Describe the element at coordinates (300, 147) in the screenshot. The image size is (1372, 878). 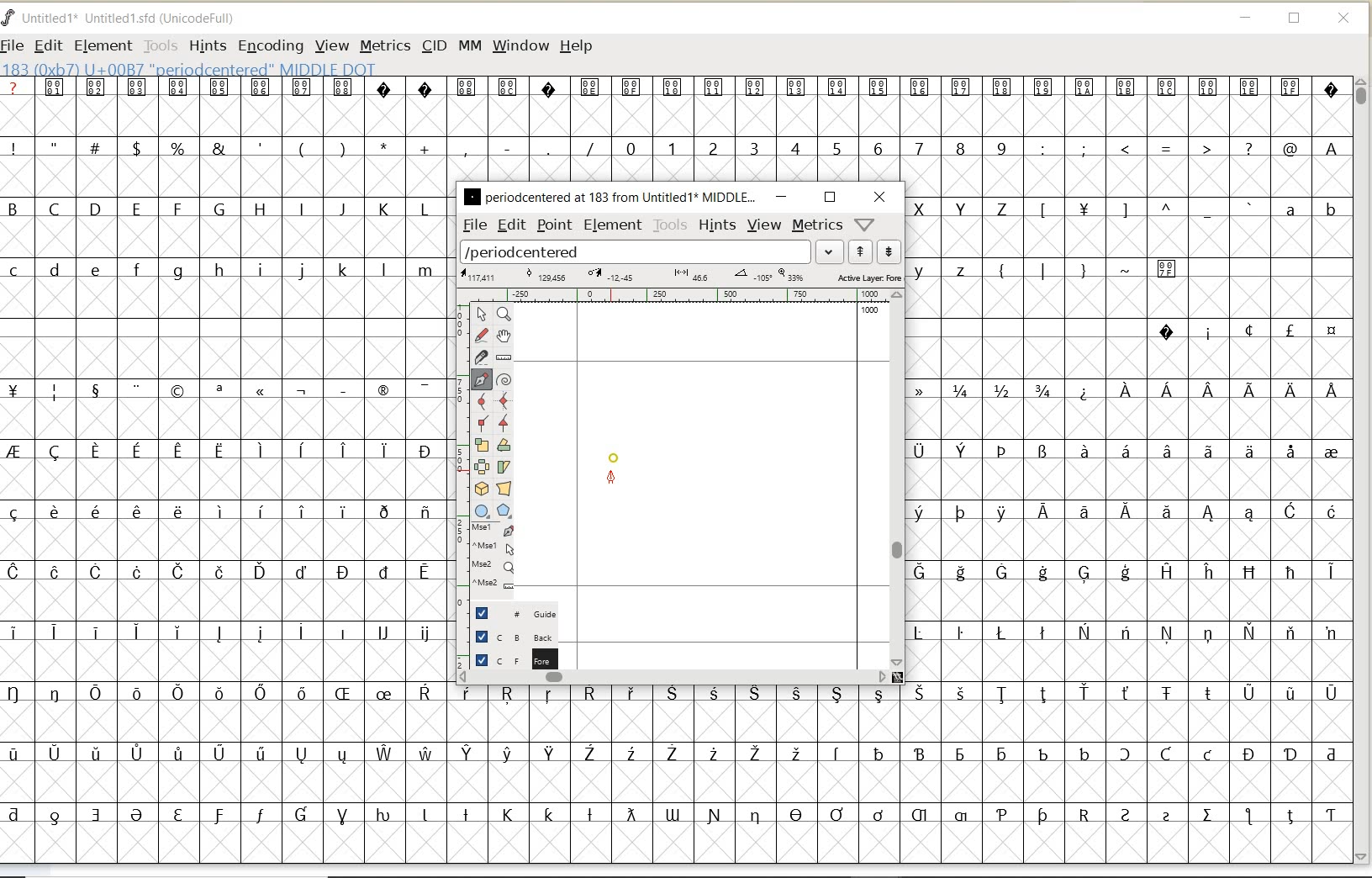
I see `special characters` at that location.